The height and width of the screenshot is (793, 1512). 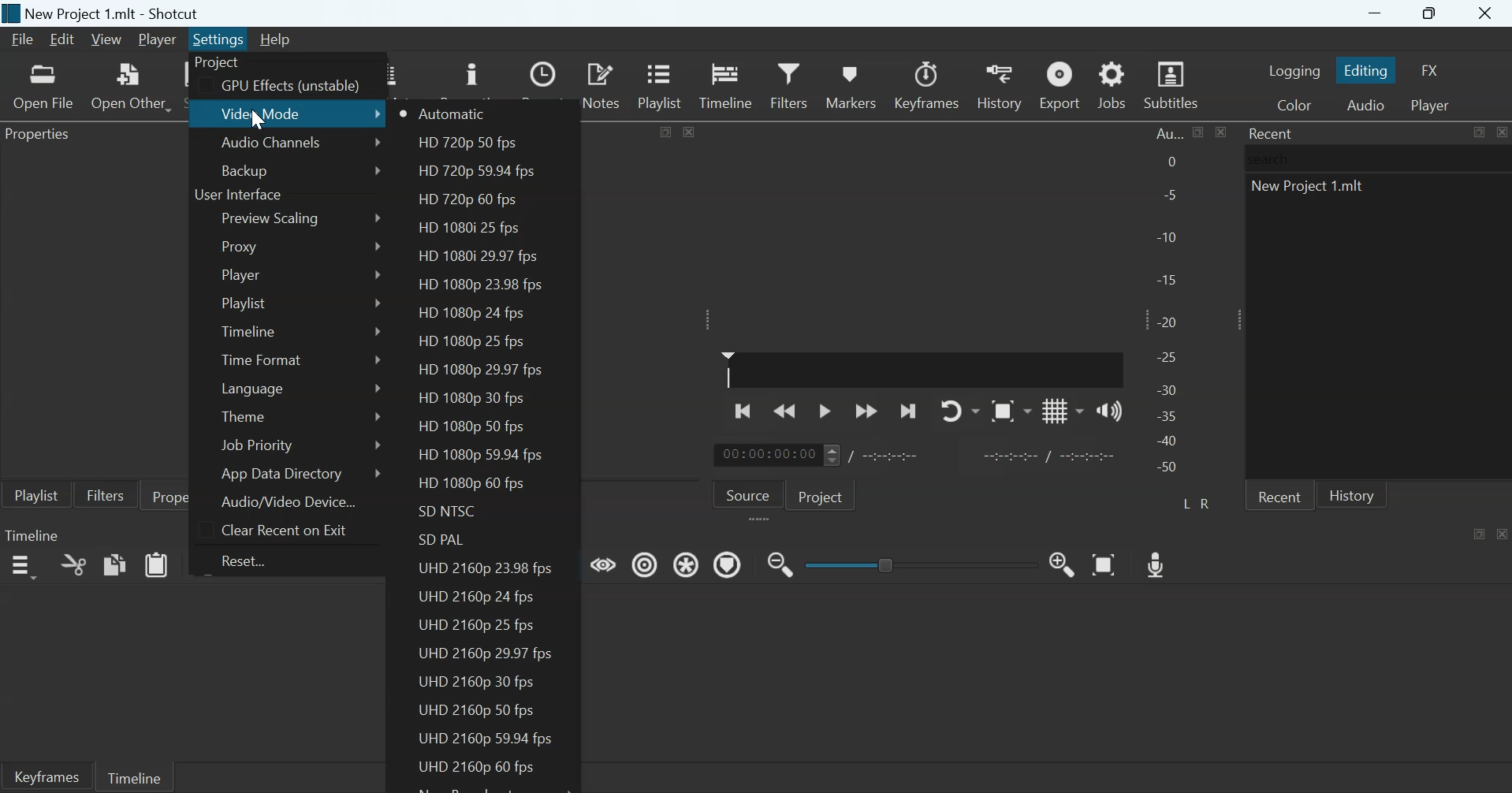 What do you see at coordinates (464, 144) in the screenshot?
I see `HD 720p 50 fps` at bounding box center [464, 144].